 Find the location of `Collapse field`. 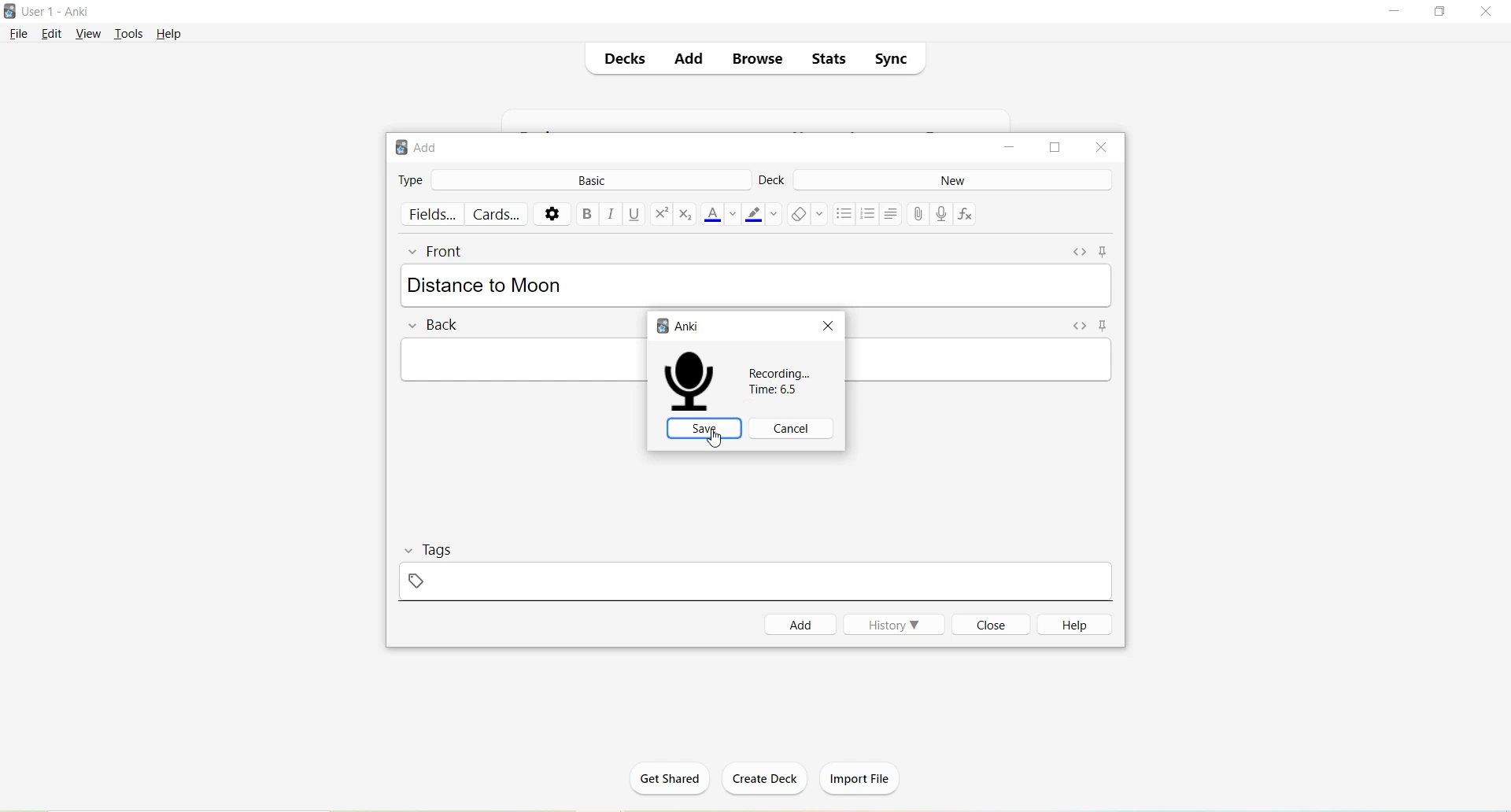

Collapse field is located at coordinates (416, 253).